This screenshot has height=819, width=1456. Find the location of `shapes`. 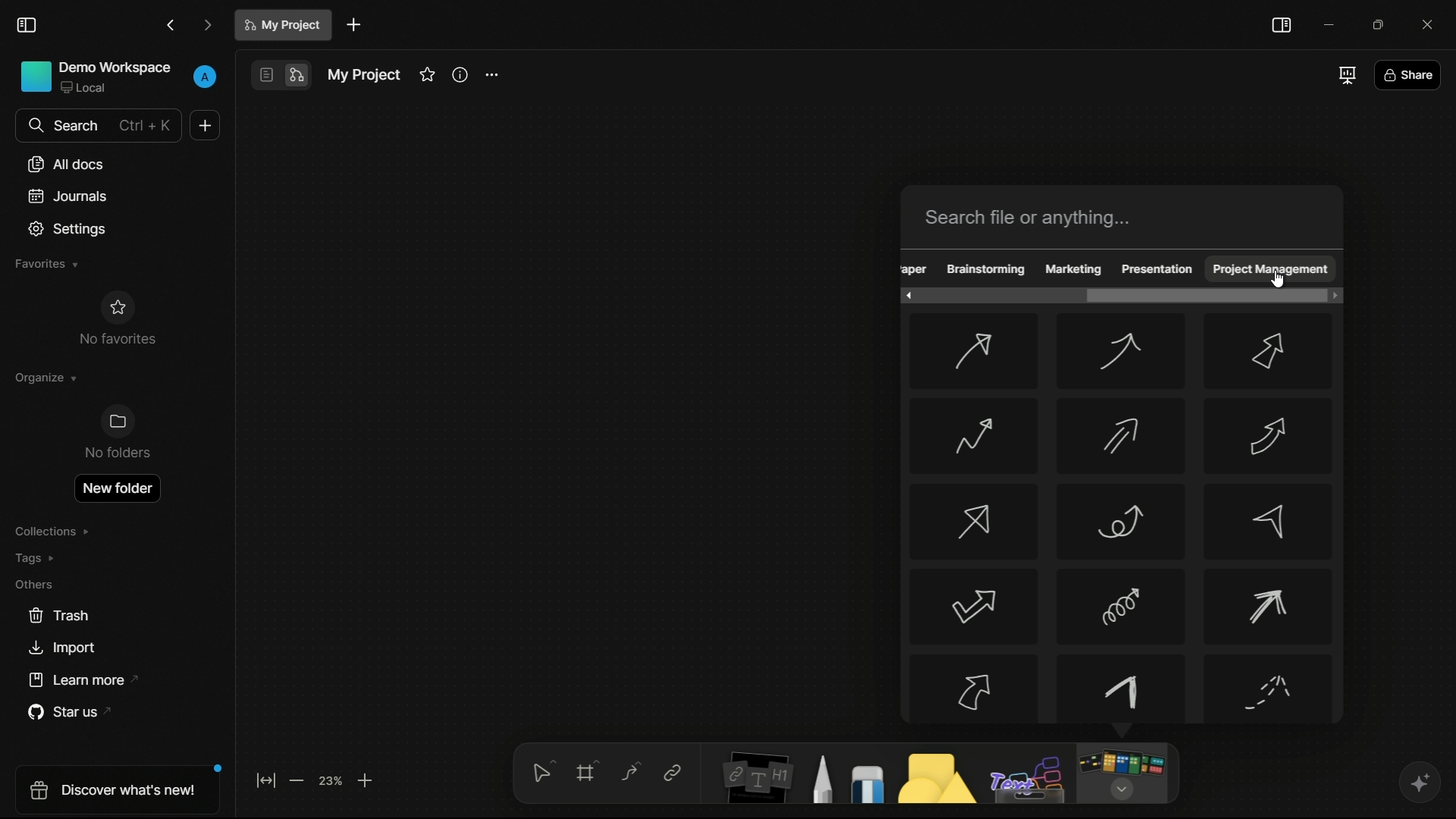

shapes is located at coordinates (934, 777).